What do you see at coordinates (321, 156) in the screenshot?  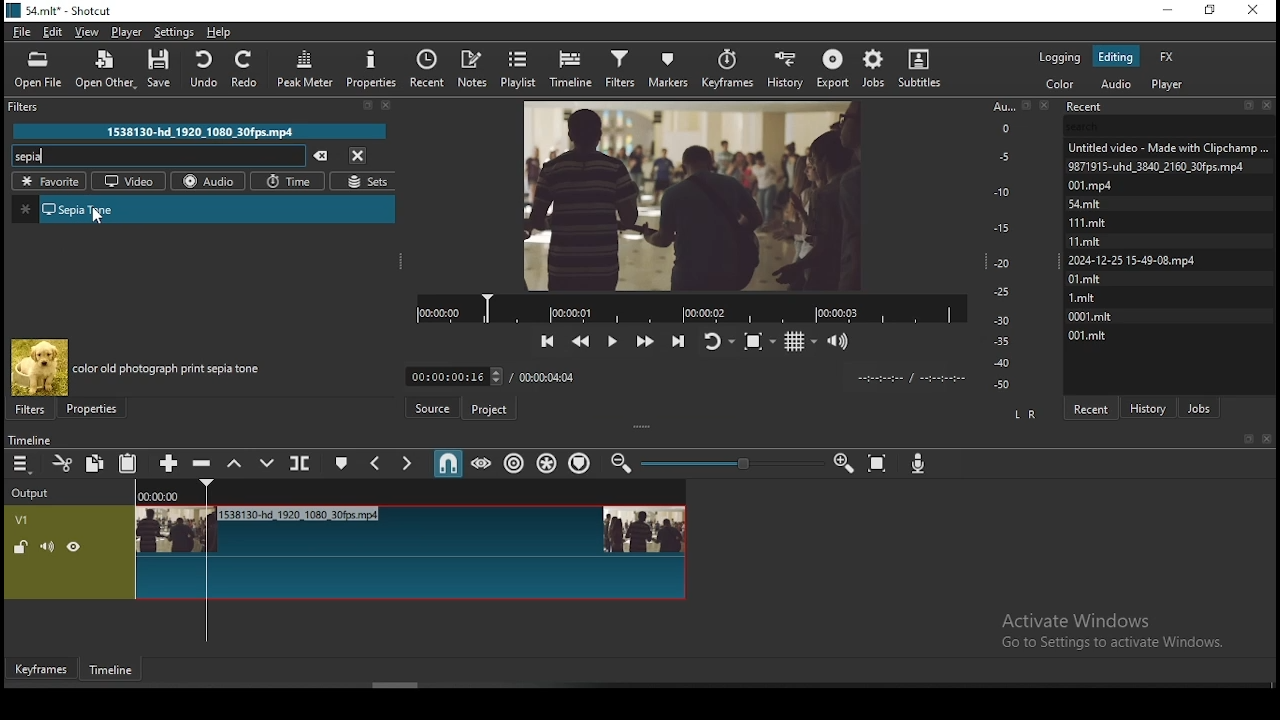 I see `clear searches` at bounding box center [321, 156].